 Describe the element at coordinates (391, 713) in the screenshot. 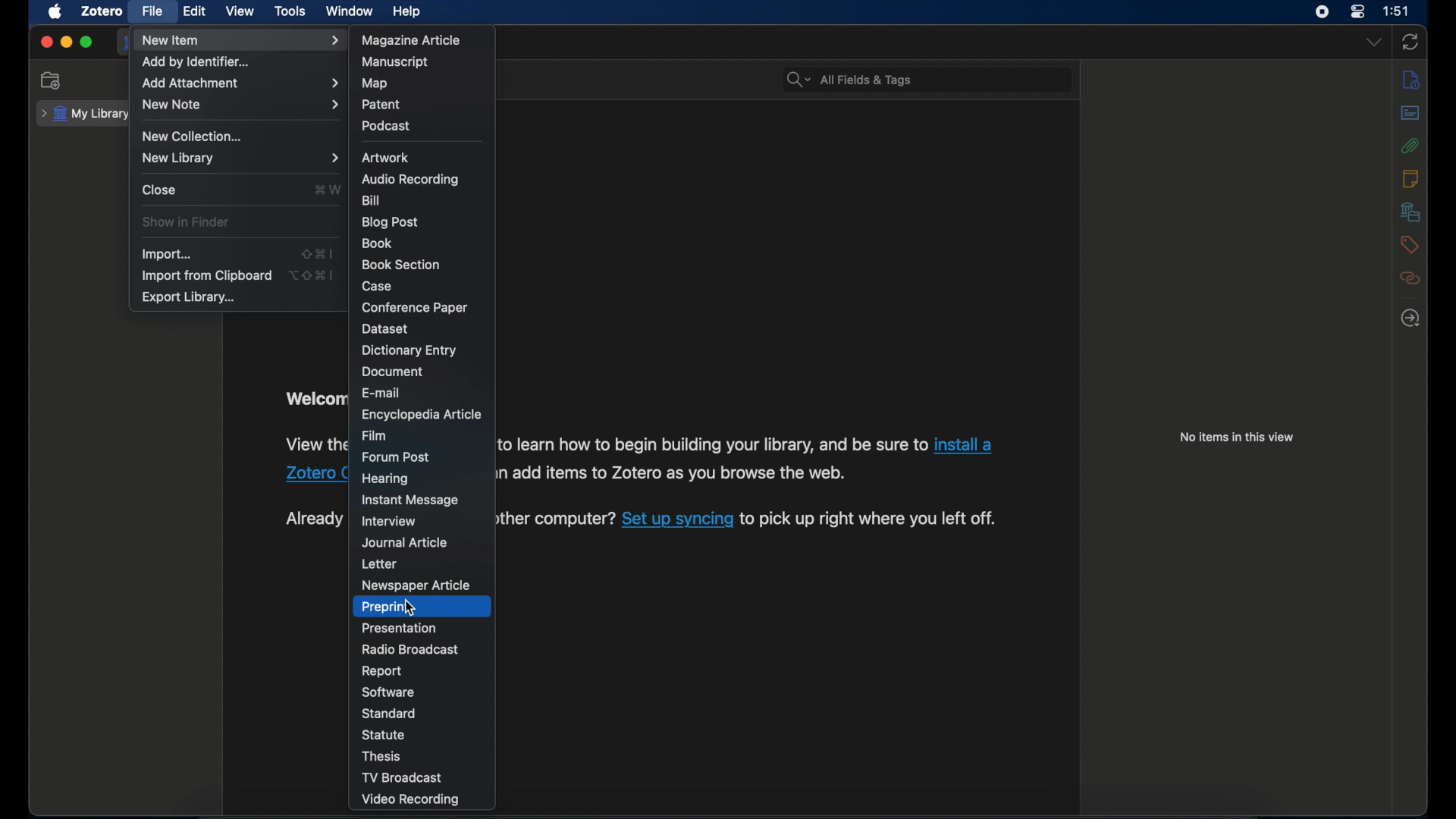

I see `standard` at that location.